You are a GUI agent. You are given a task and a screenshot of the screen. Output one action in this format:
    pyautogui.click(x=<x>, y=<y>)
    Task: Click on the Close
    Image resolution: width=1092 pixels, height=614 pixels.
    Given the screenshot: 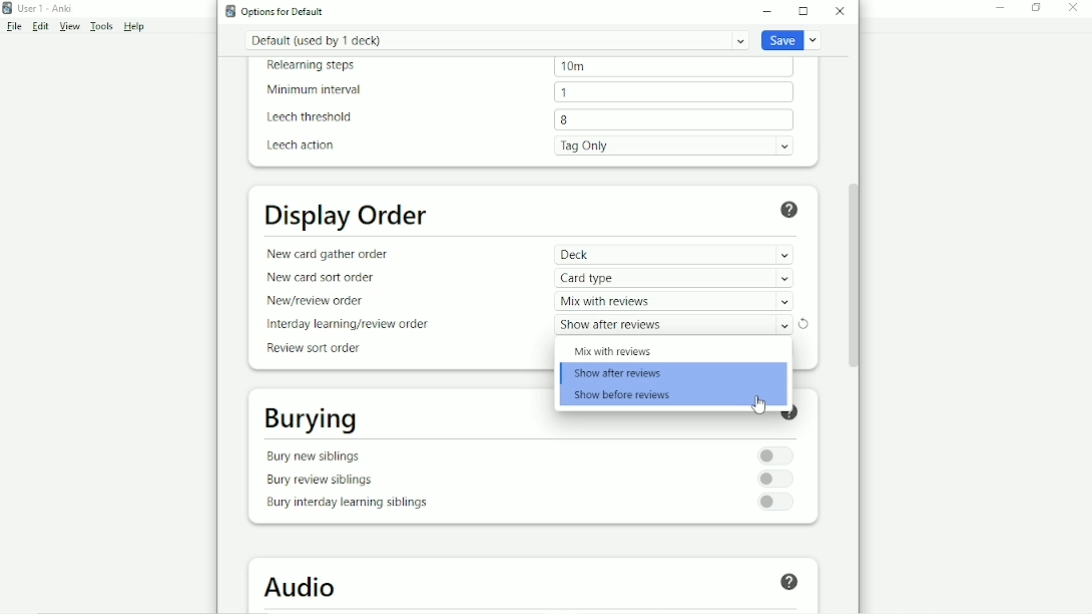 What is the action you would take?
    pyautogui.click(x=840, y=11)
    